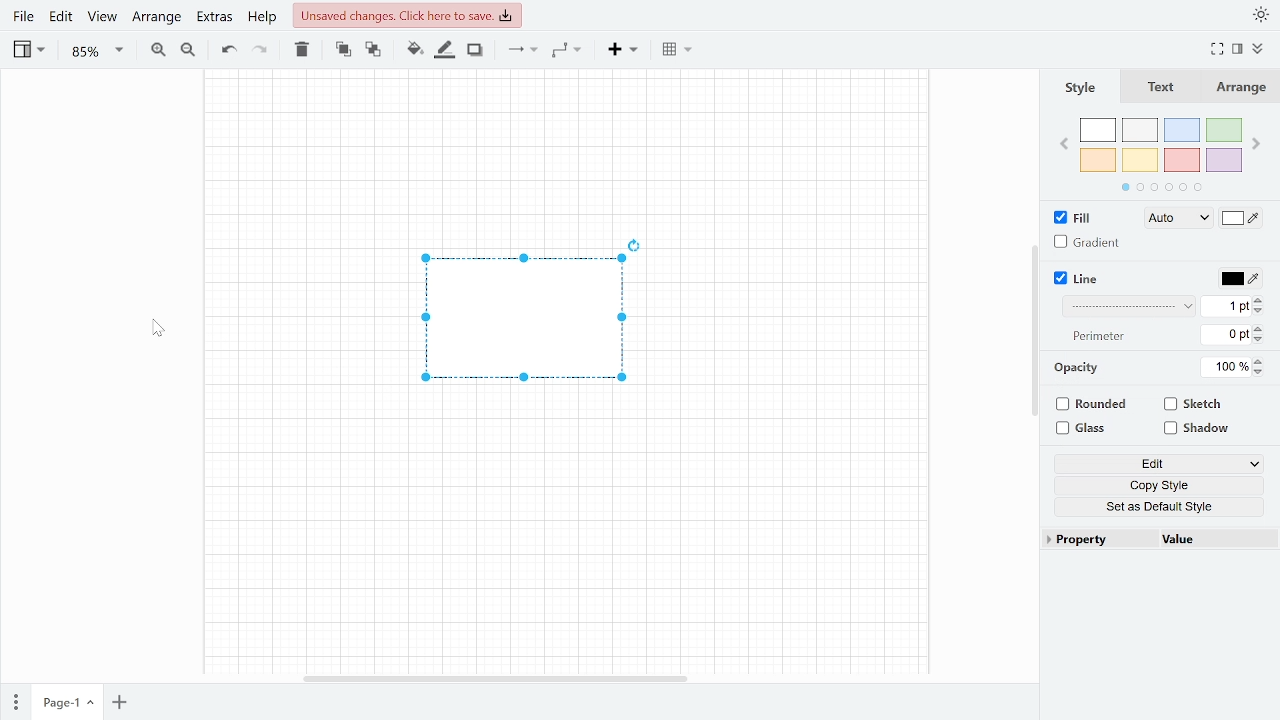 The height and width of the screenshot is (720, 1280). Describe the element at coordinates (566, 52) in the screenshot. I see `Waypoints` at that location.